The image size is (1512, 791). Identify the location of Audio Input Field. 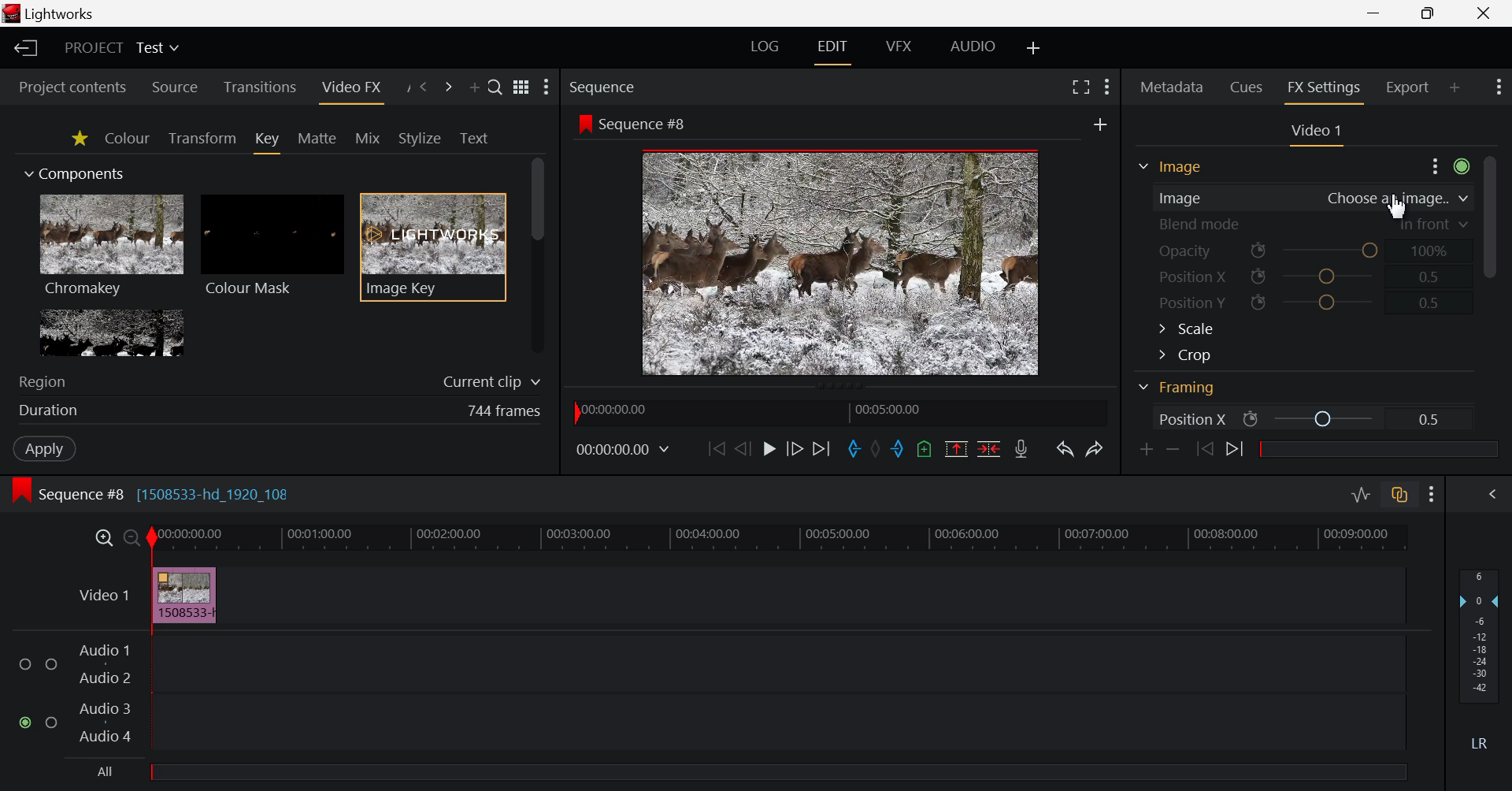
(776, 691).